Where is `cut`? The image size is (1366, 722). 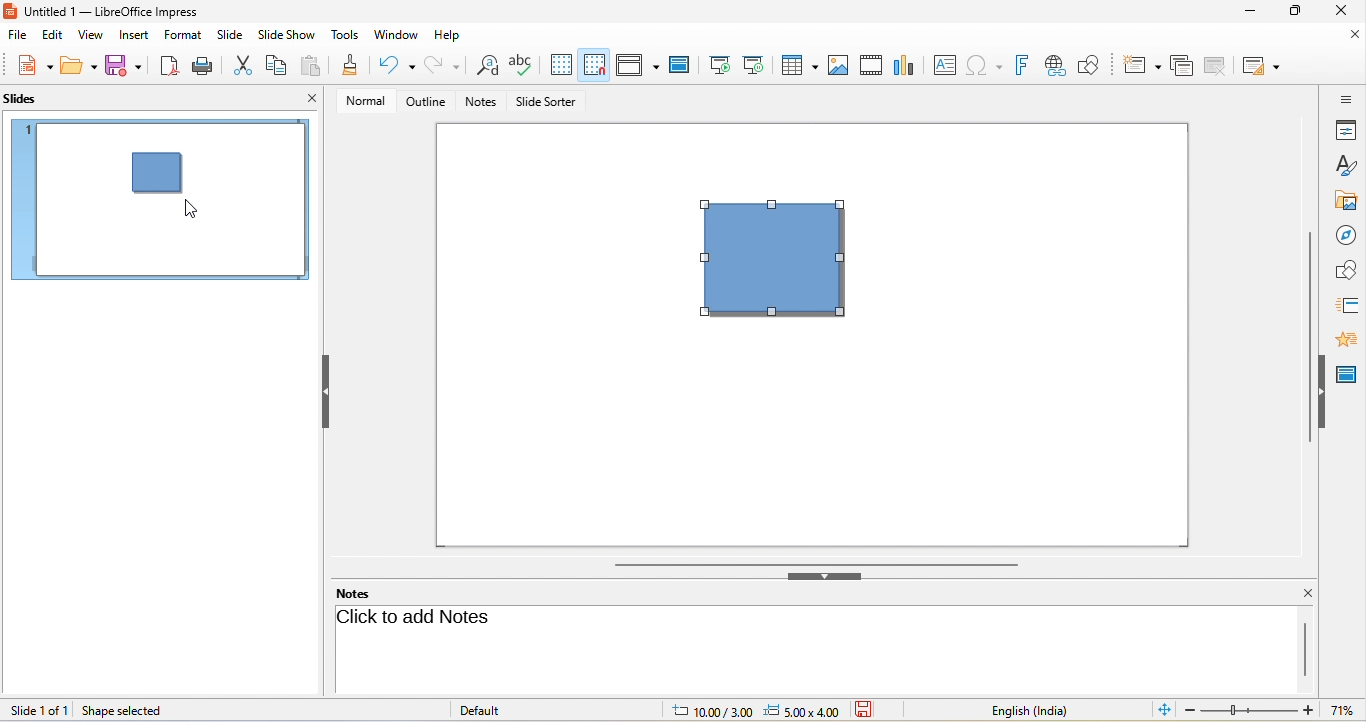
cut is located at coordinates (240, 65).